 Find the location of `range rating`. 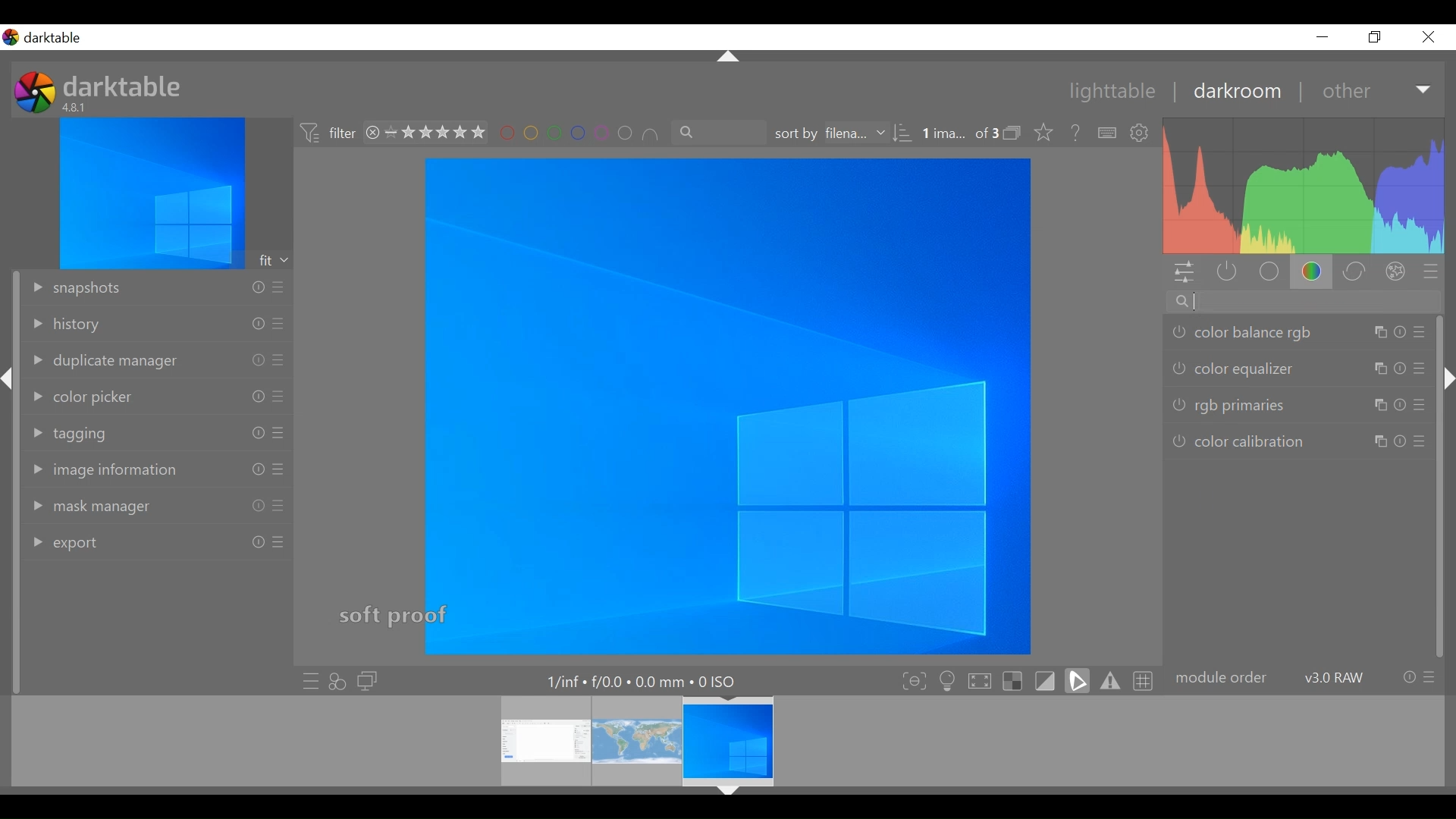

range rating is located at coordinates (436, 133).